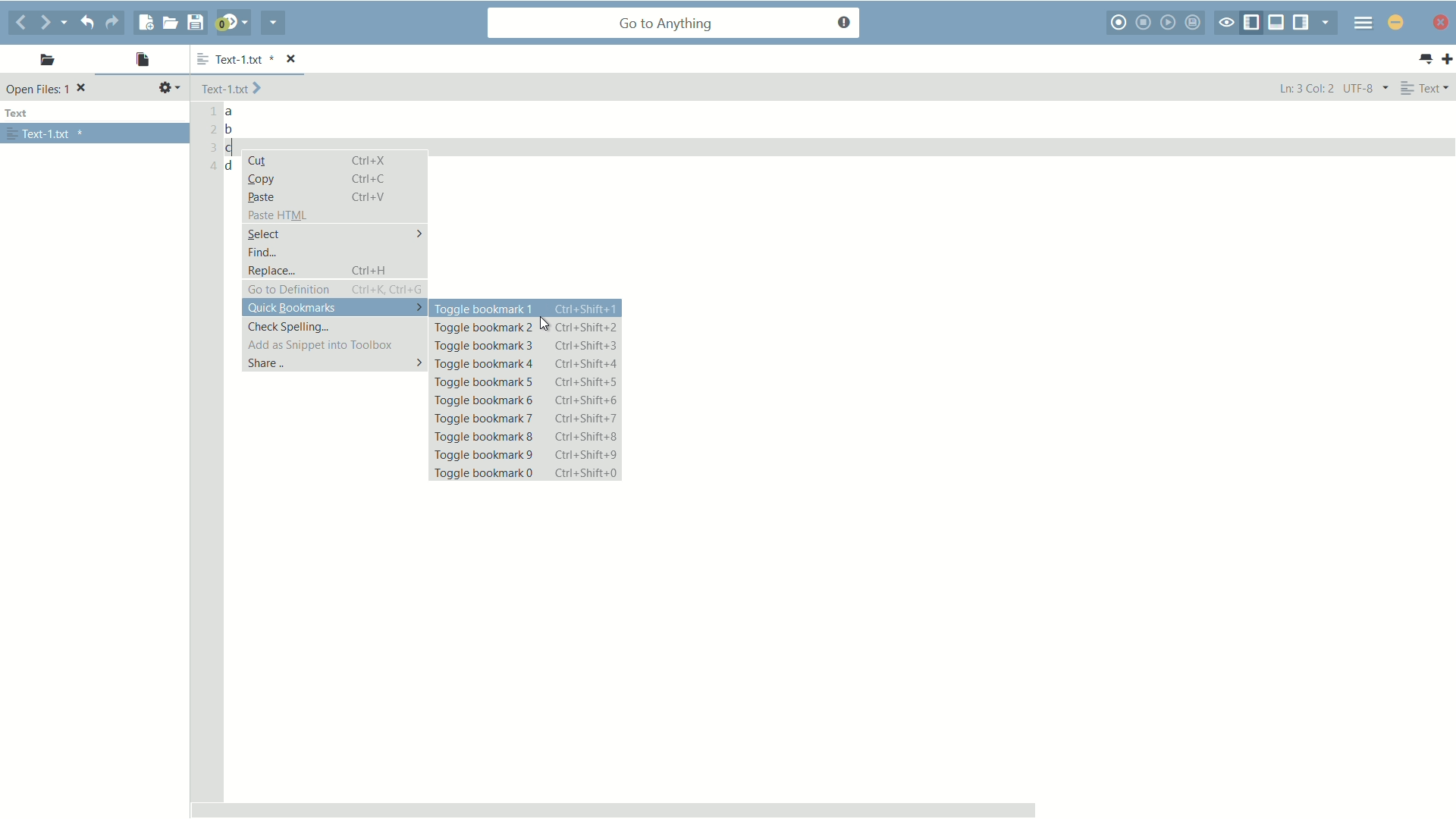 The width and height of the screenshot is (1456, 819). Describe the element at coordinates (525, 328) in the screenshot. I see `toggle bookmark 2` at that location.